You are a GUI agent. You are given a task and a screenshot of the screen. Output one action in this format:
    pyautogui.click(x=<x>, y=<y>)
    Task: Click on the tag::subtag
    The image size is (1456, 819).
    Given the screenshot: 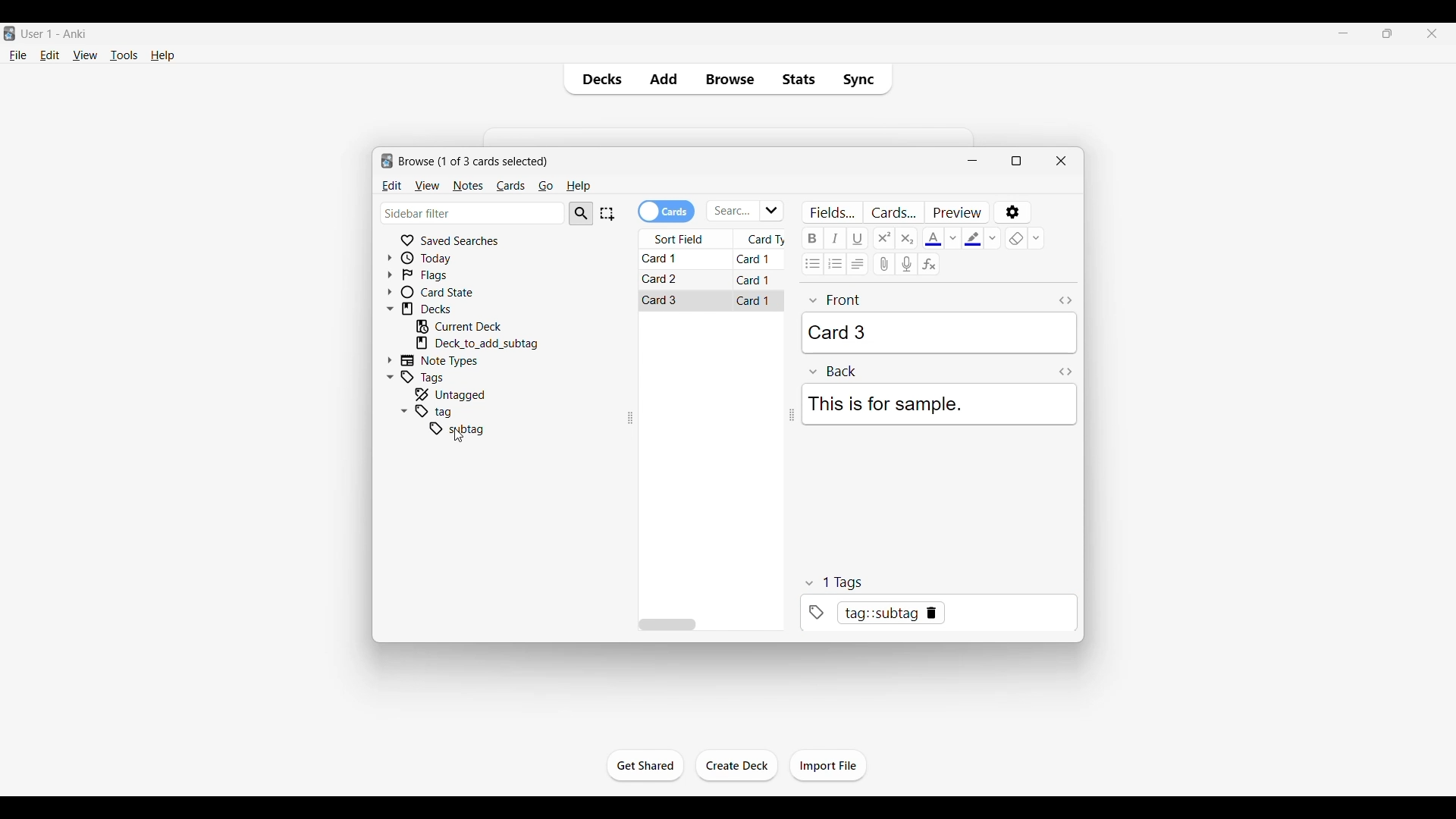 What is the action you would take?
    pyautogui.click(x=935, y=614)
    